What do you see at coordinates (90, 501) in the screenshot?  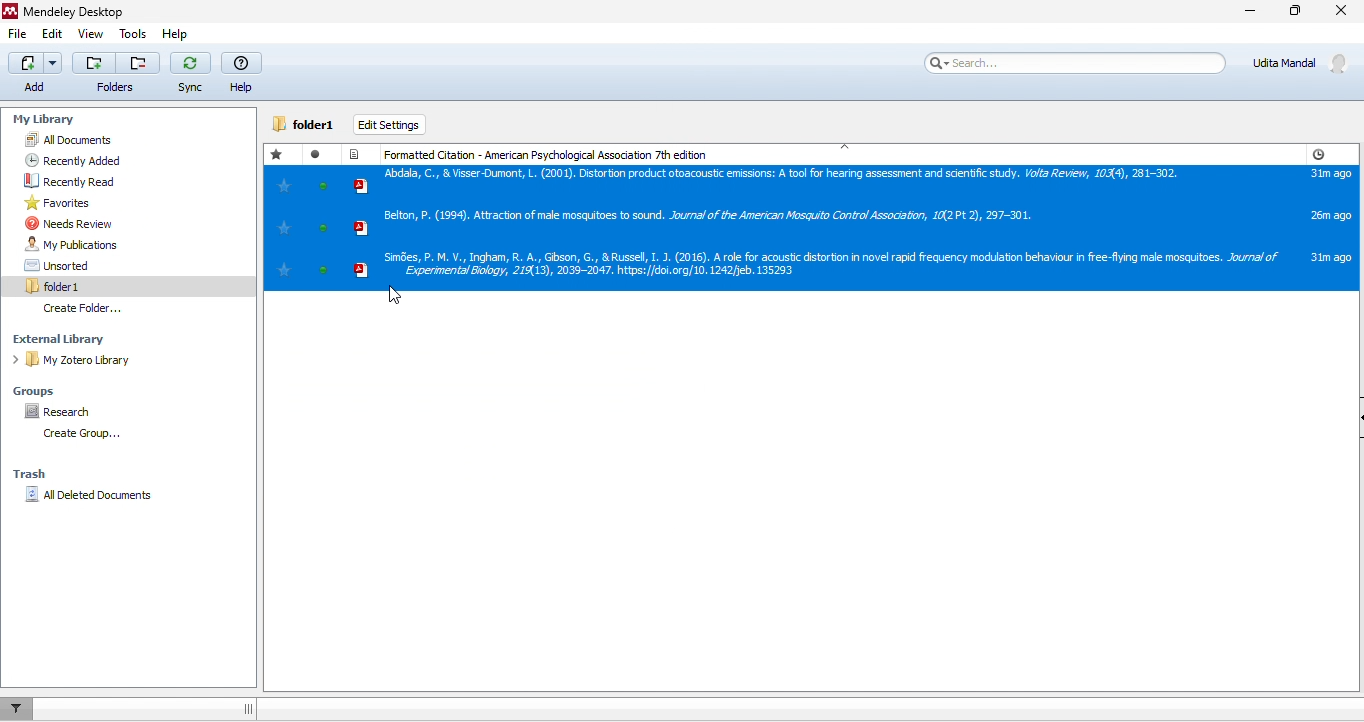 I see `all deleted documents` at bounding box center [90, 501].